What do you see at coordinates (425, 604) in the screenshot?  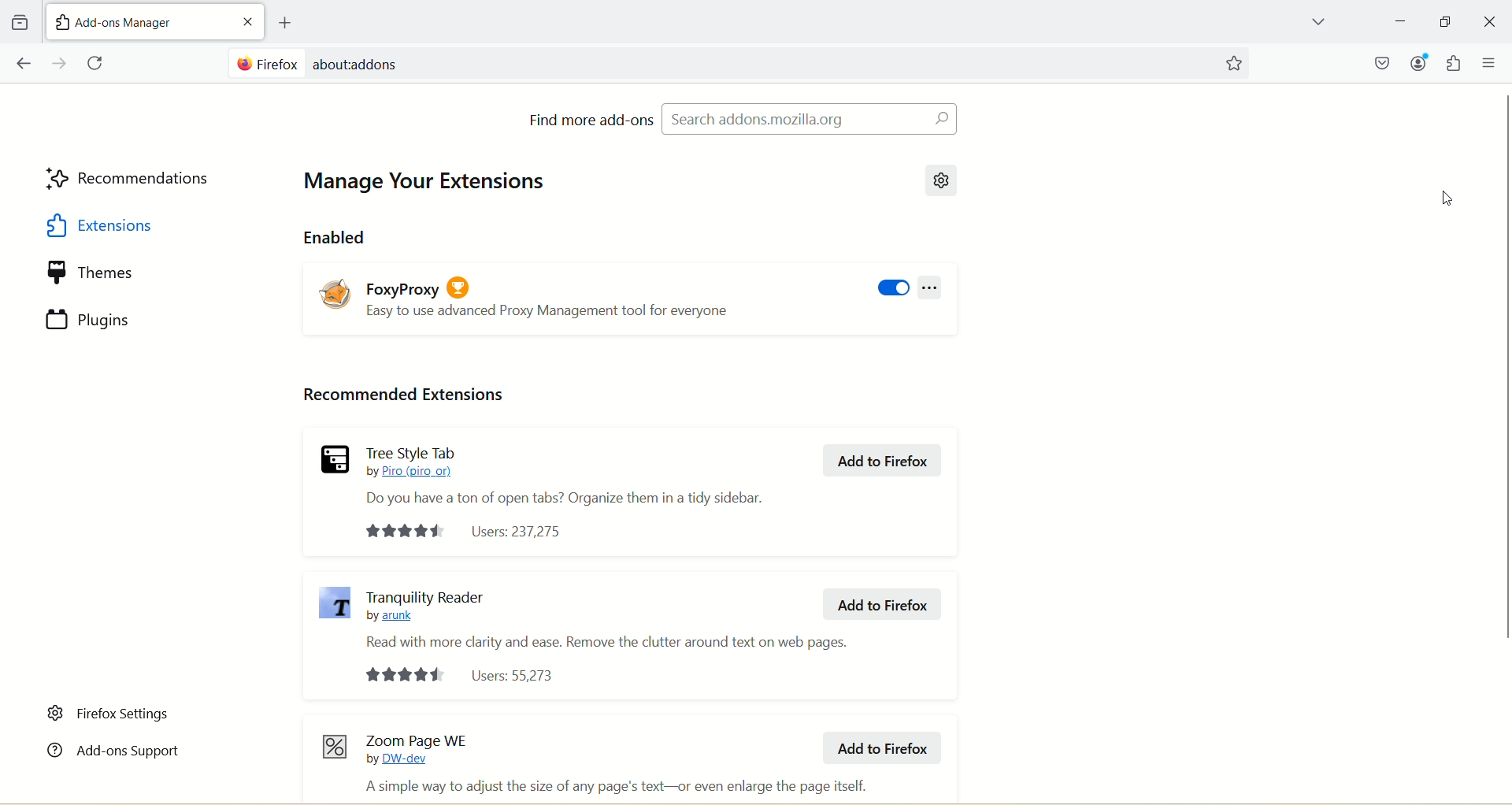 I see `oT Tranquility Reader
by arunk` at bounding box center [425, 604].